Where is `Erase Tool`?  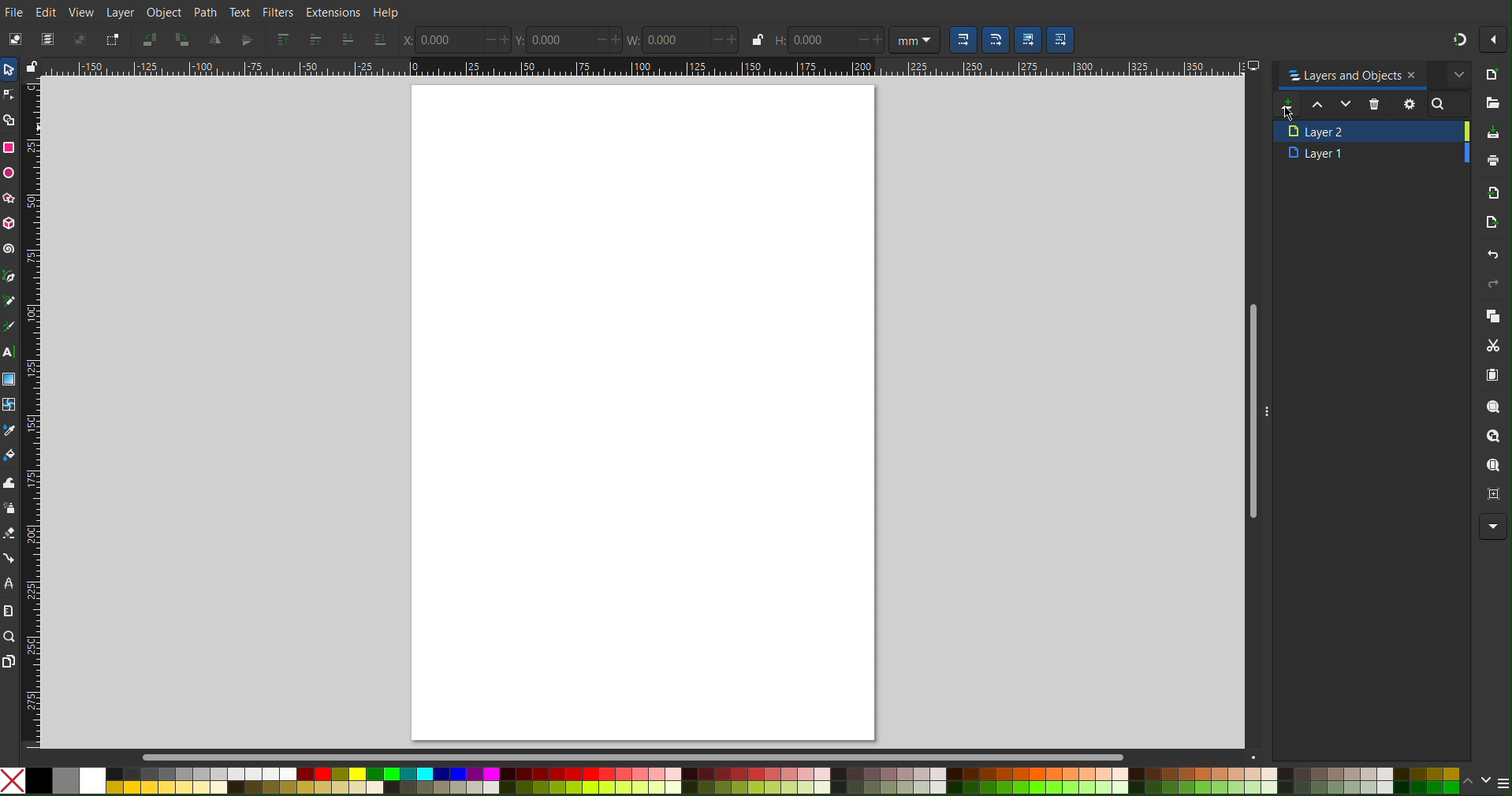 Erase Tool is located at coordinates (11, 536).